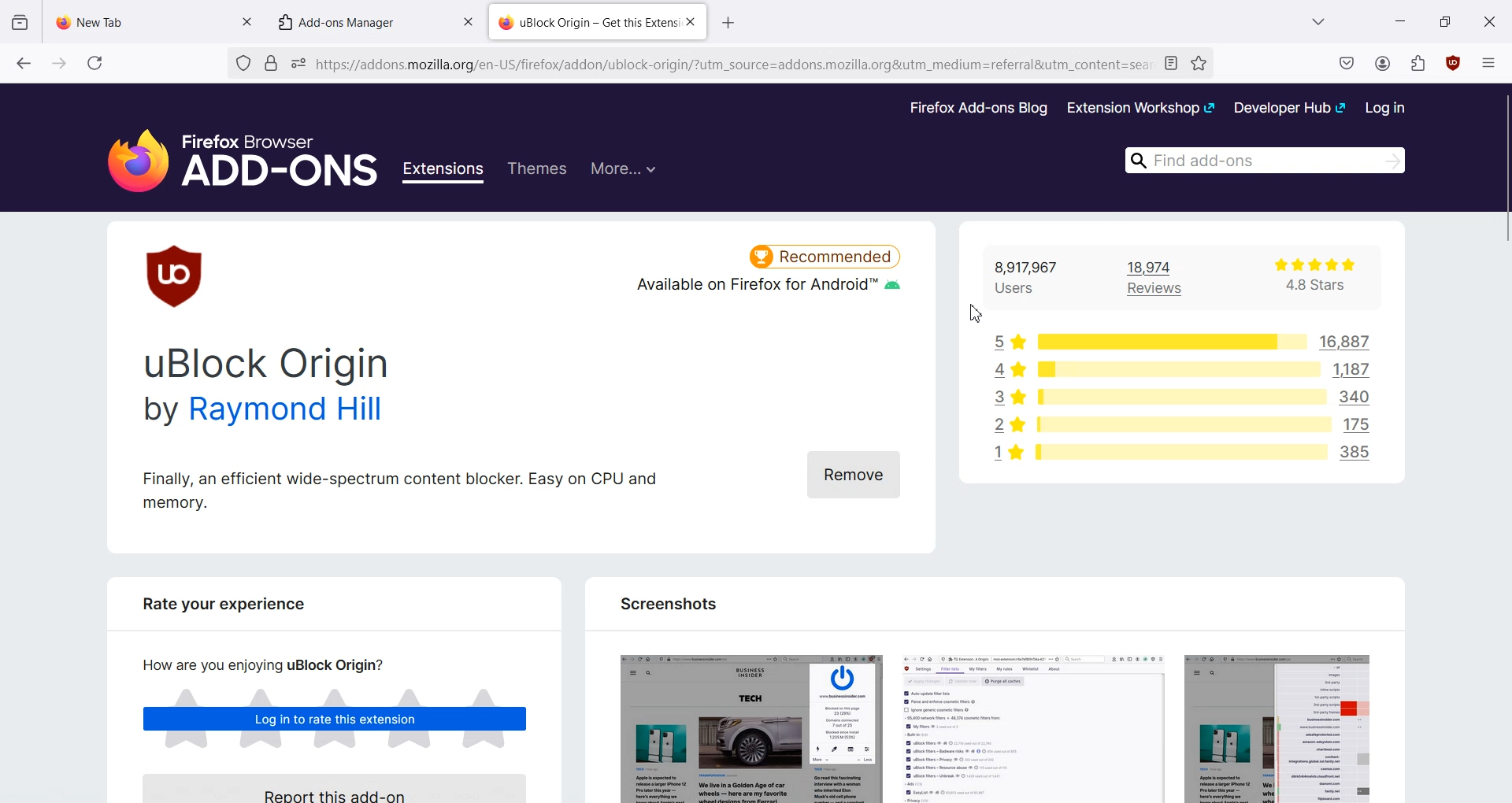 This screenshot has width=1512, height=803. I want to click on Minimize, so click(1400, 21).